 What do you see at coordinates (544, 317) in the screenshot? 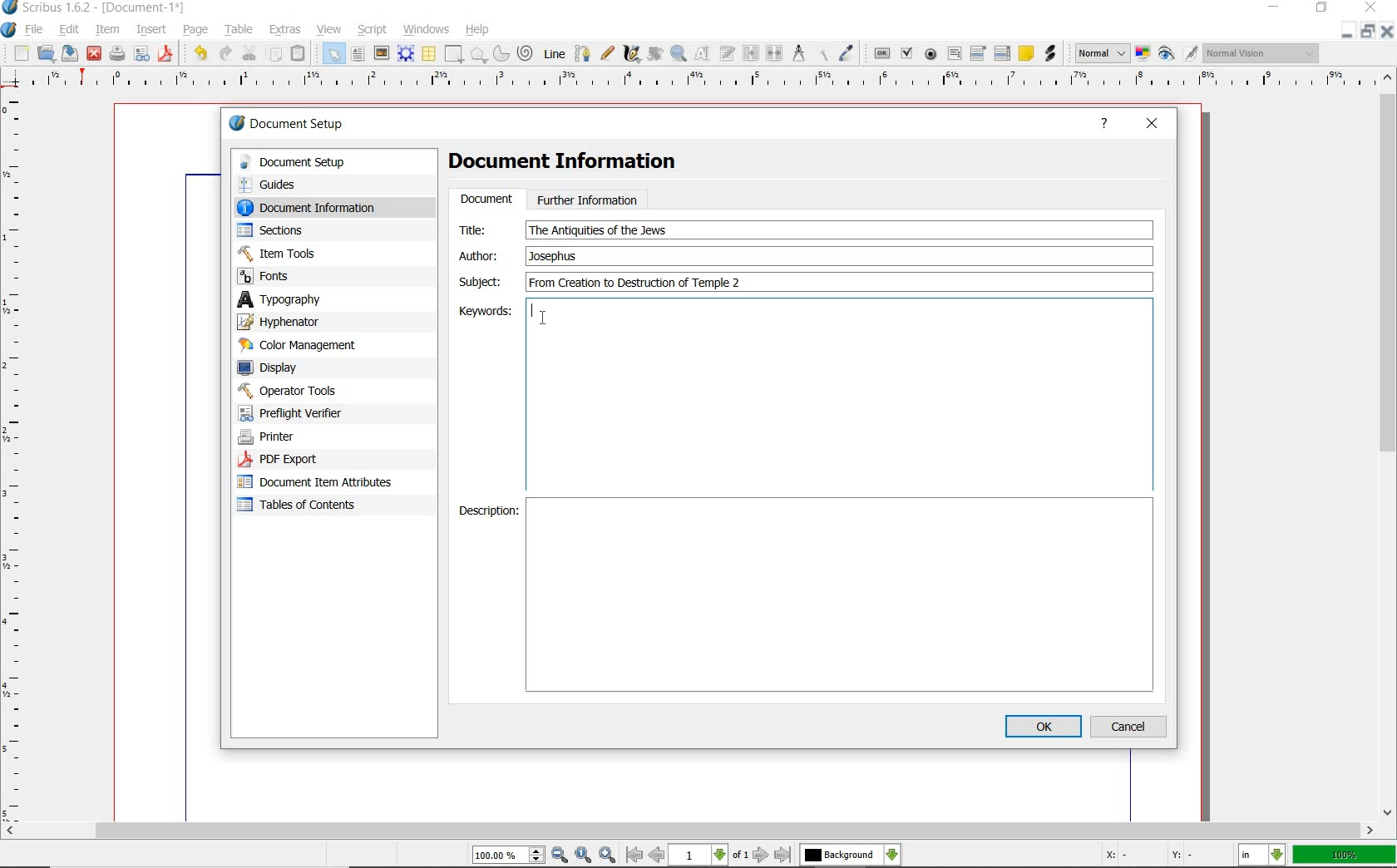
I see `cursor` at bounding box center [544, 317].